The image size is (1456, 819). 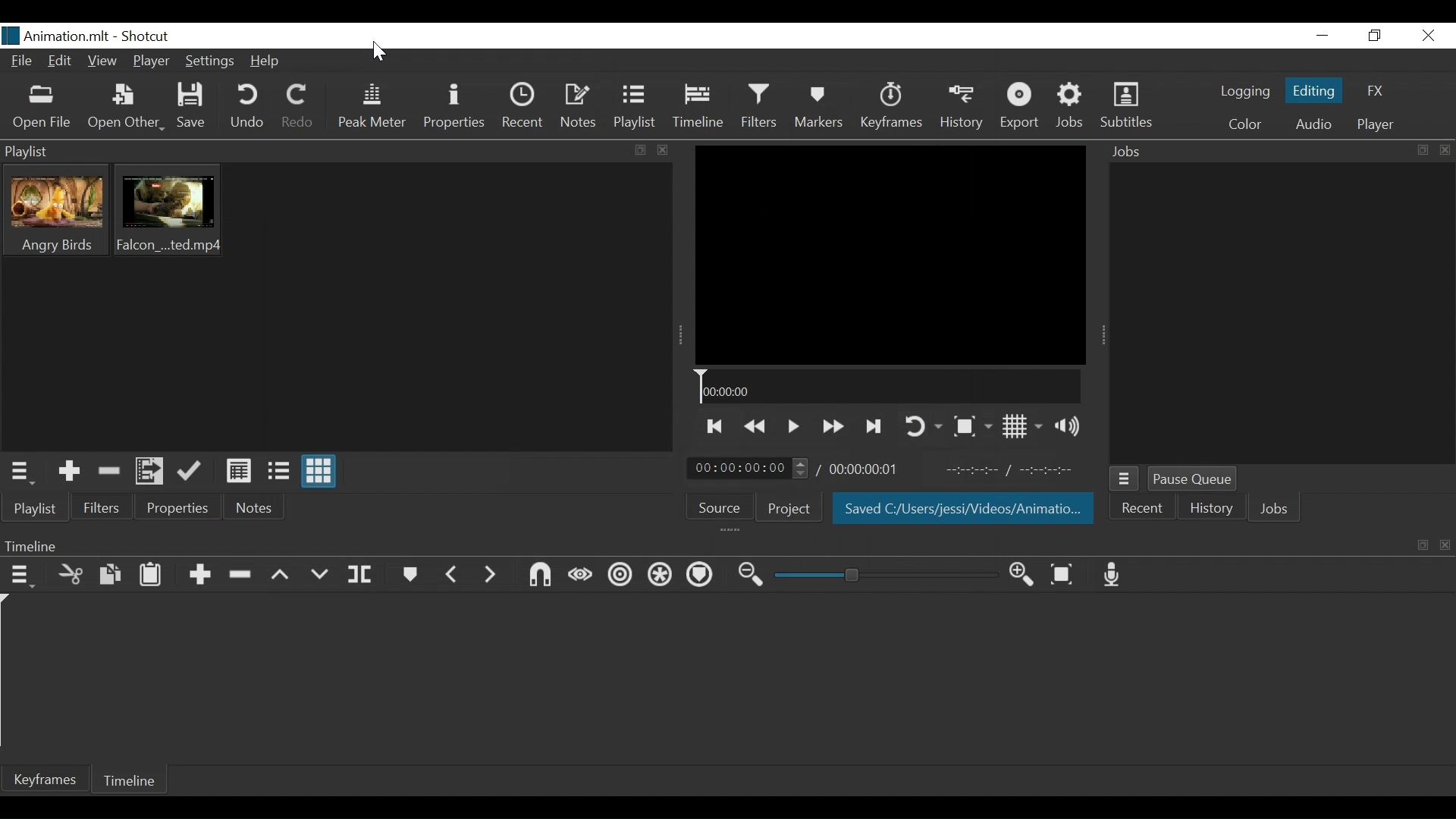 I want to click on History, so click(x=1213, y=510).